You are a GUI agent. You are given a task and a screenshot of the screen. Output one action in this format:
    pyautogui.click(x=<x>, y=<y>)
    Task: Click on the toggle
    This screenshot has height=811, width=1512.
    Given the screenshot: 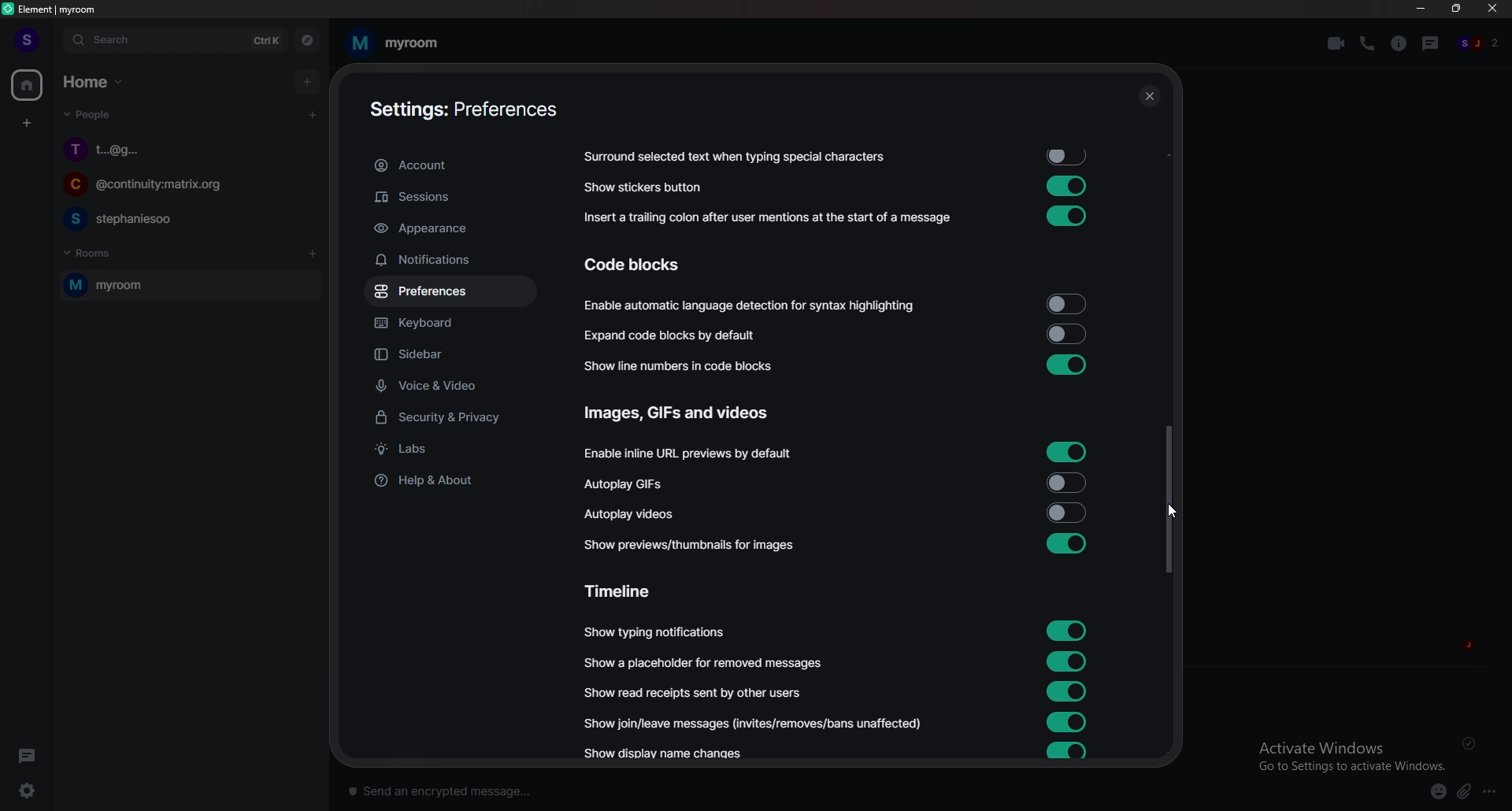 What is the action you would take?
    pyautogui.click(x=1067, y=451)
    